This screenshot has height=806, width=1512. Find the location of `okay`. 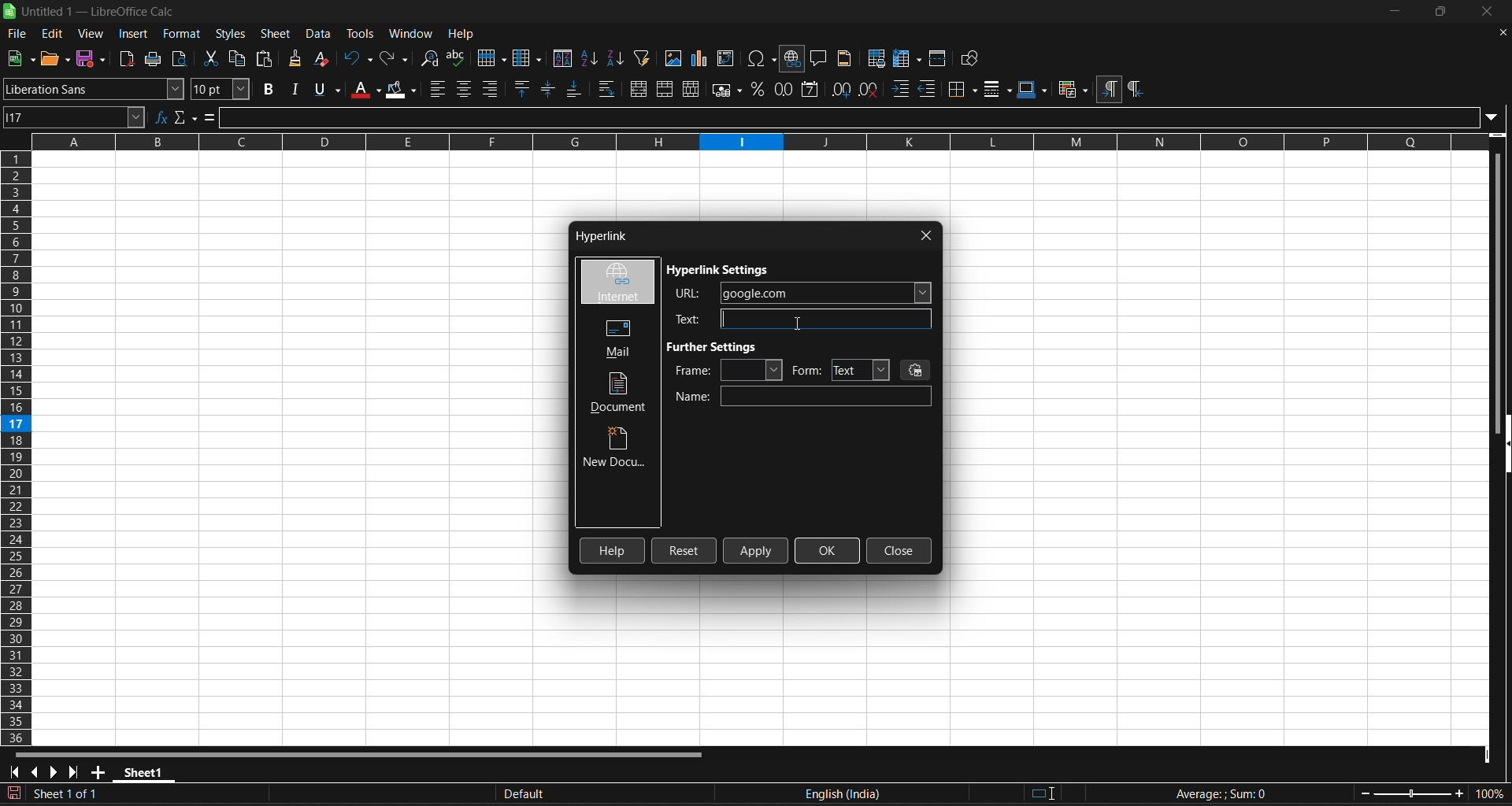

okay is located at coordinates (828, 550).